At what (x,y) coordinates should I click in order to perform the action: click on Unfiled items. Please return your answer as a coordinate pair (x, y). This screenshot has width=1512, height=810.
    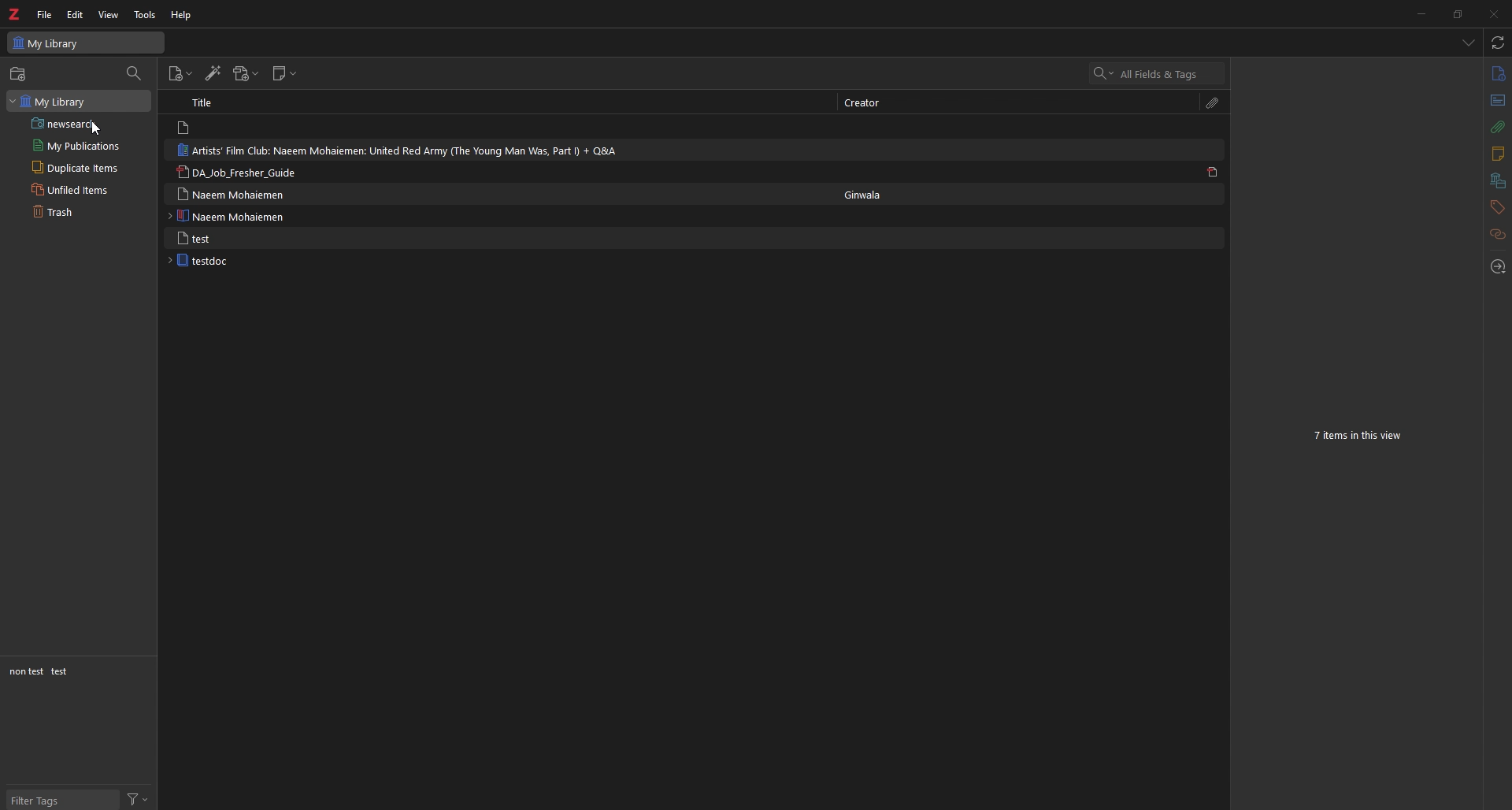
    Looking at the image, I should click on (70, 191).